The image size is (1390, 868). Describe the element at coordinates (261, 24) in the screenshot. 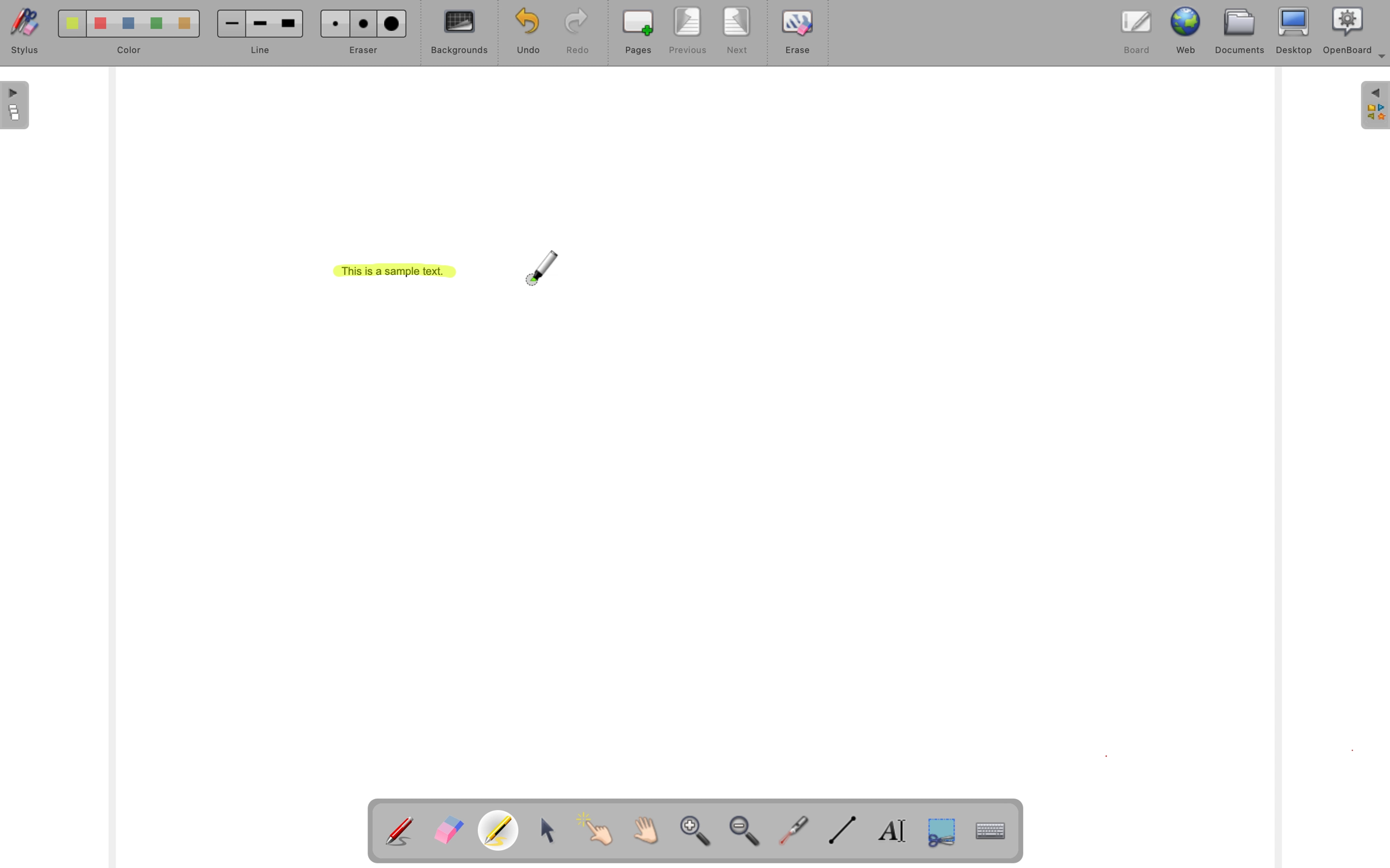

I see `Medium line` at that location.